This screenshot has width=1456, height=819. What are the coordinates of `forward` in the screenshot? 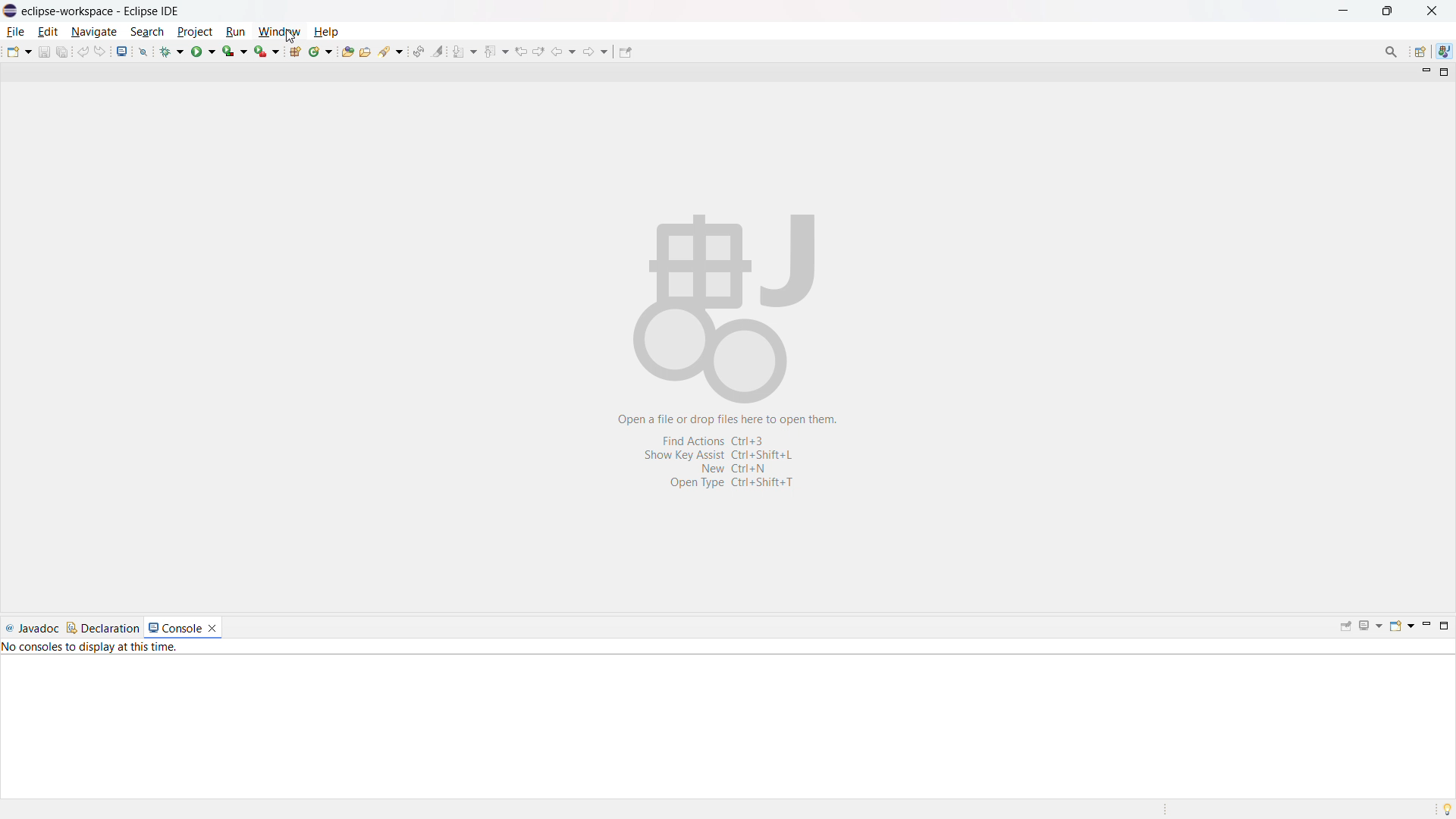 It's located at (595, 51).